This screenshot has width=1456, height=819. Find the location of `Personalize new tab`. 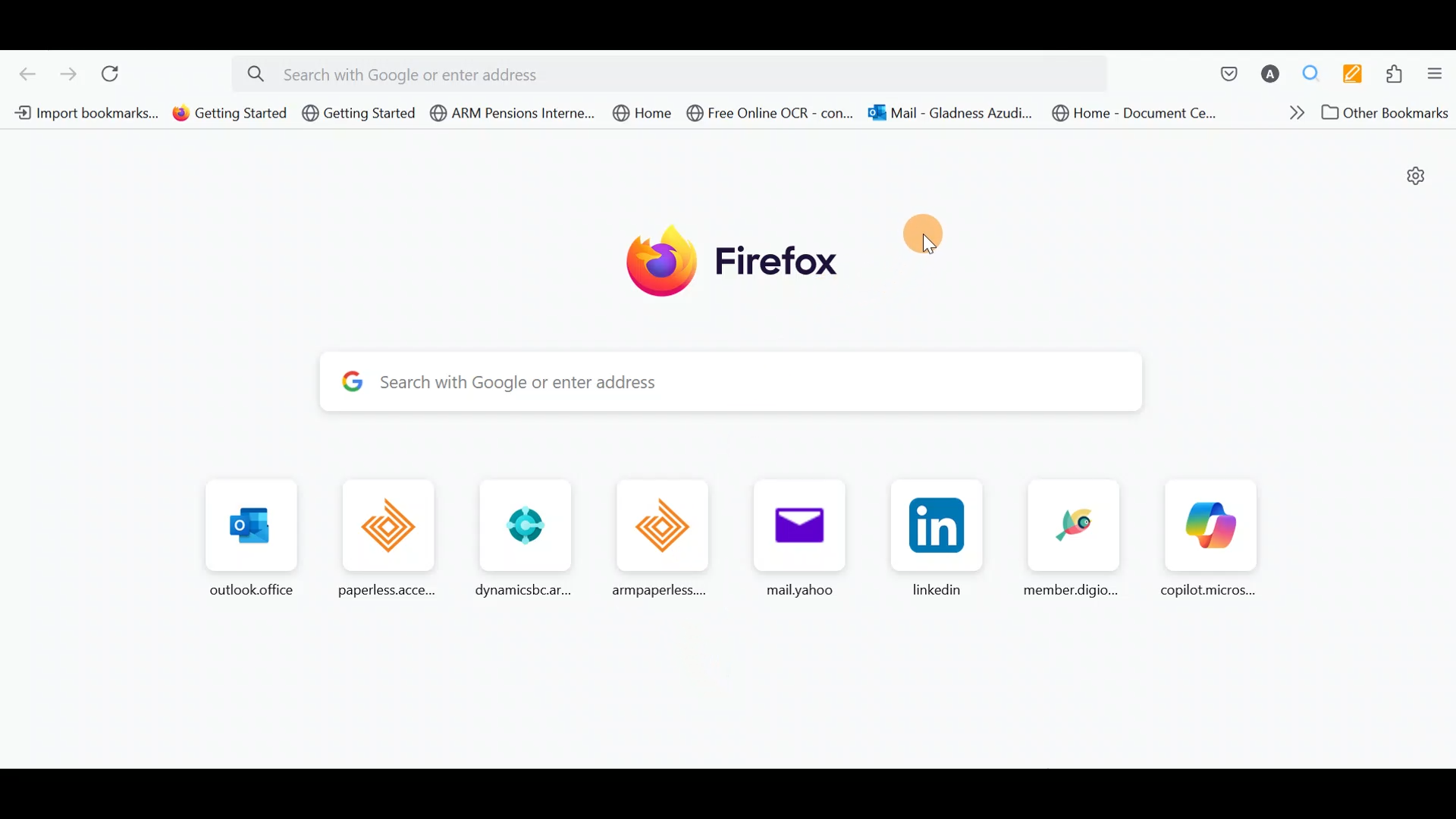

Personalize new tab is located at coordinates (1411, 178).